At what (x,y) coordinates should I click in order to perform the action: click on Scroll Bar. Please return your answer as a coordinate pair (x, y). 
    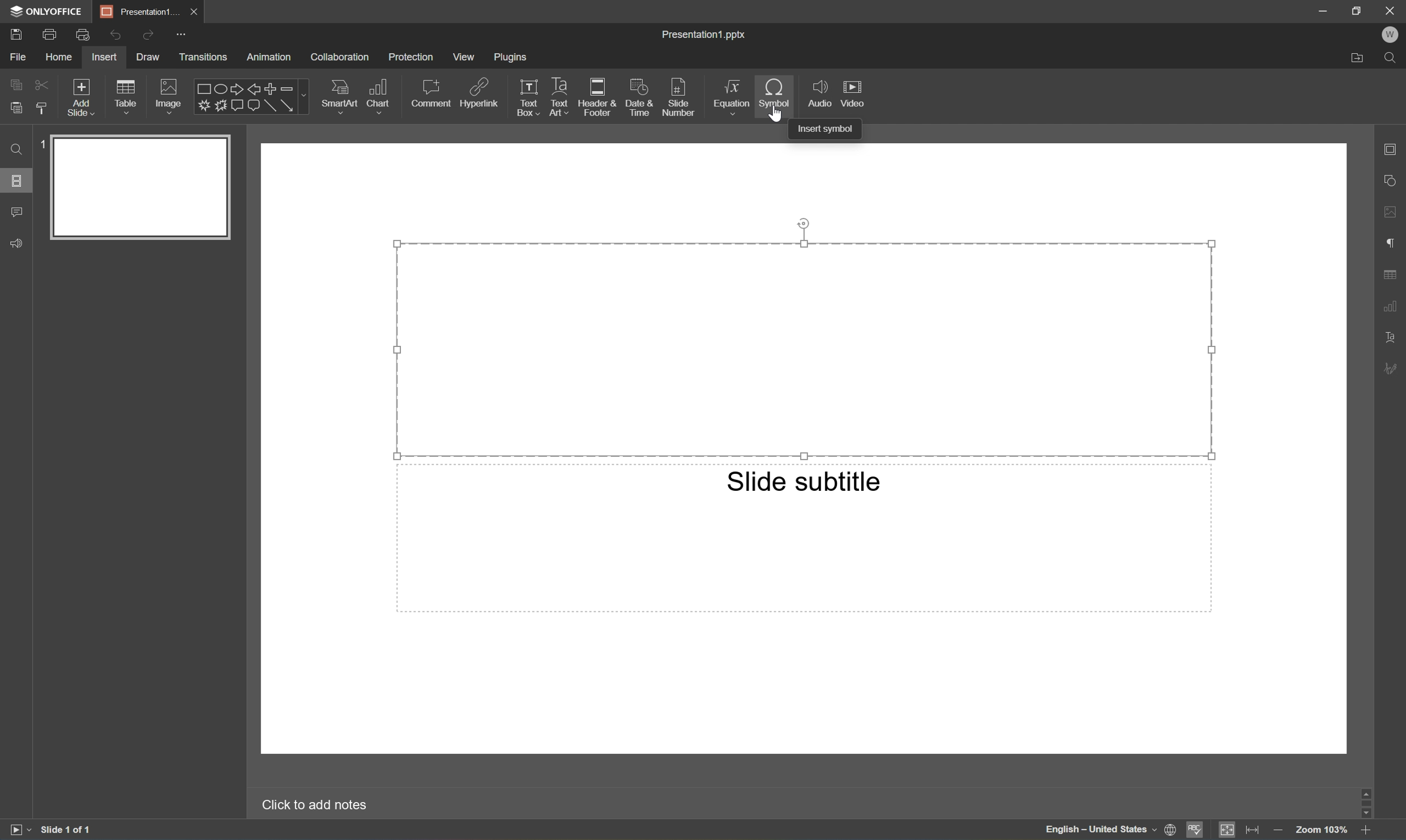
    Looking at the image, I should click on (1365, 803).